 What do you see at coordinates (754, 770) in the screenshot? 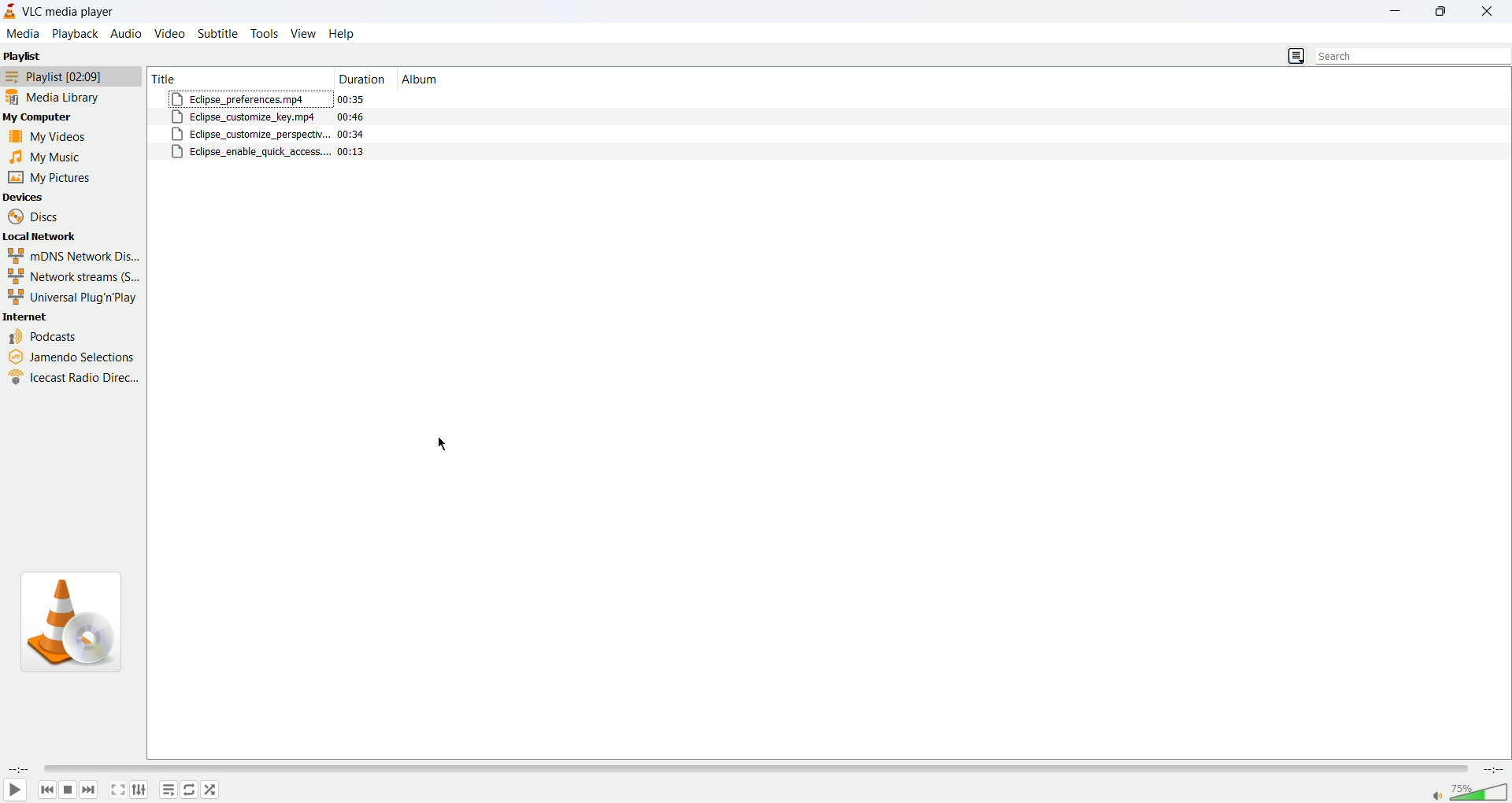
I see `seek bar` at bounding box center [754, 770].